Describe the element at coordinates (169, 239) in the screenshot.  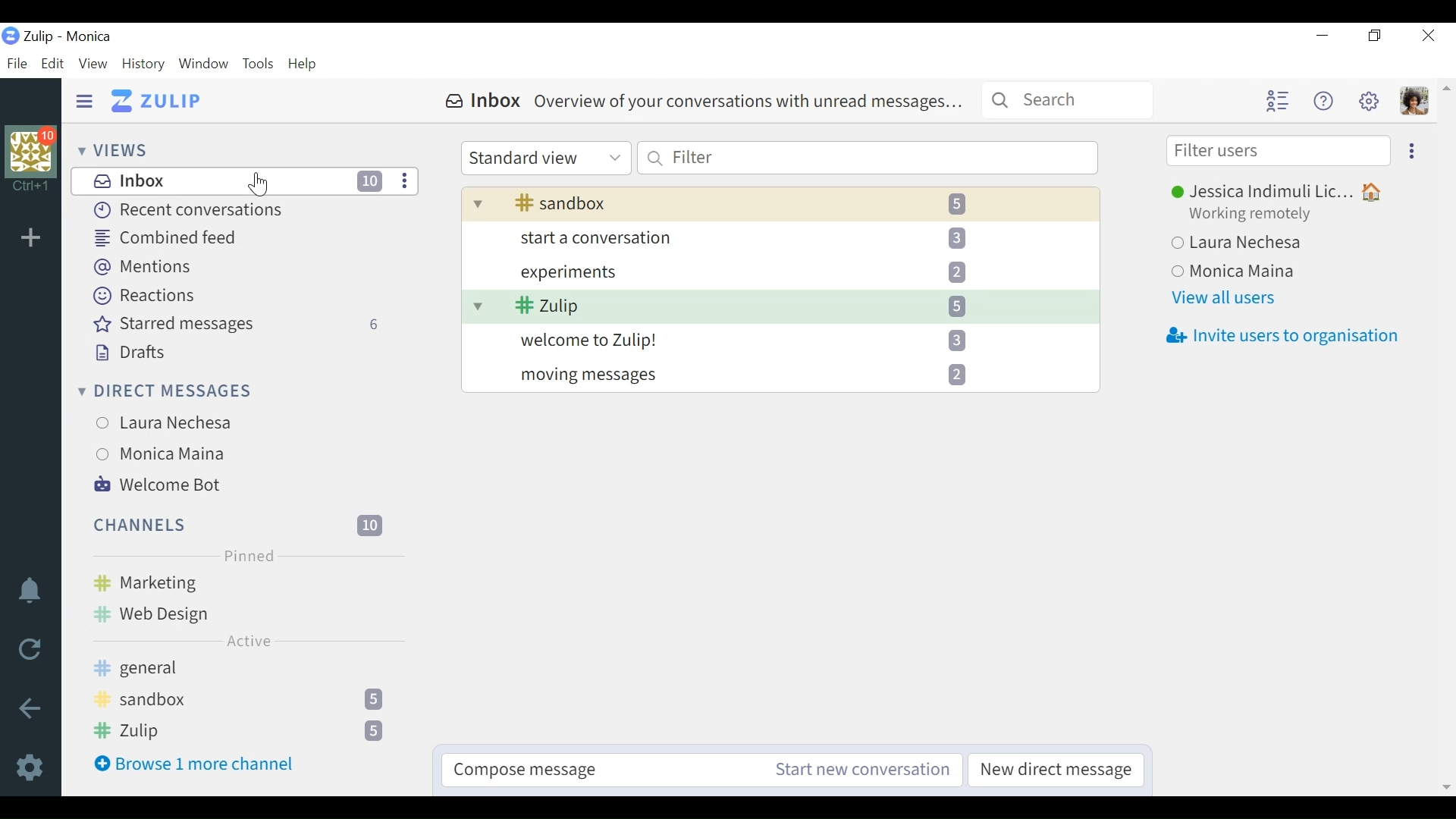
I see `Combined Feed` at that location.